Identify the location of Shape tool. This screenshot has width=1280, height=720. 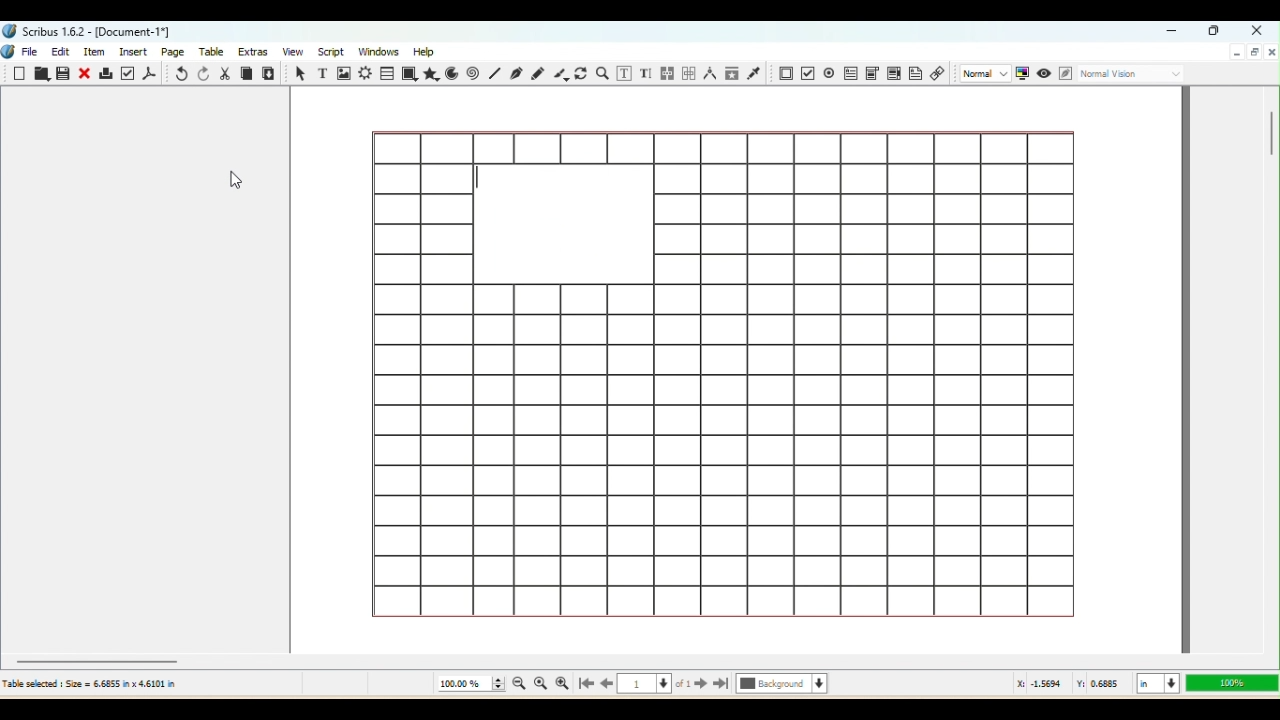
(410, 74).